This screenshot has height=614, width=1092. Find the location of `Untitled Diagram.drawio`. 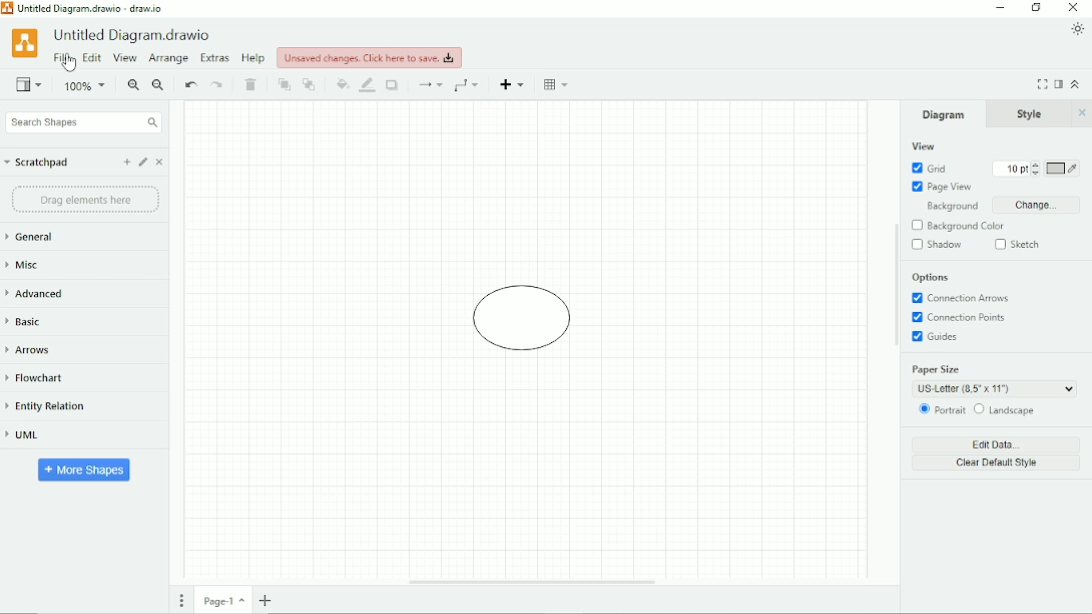

Untitled Diagram.drawio is located at coordinates (133, 35).